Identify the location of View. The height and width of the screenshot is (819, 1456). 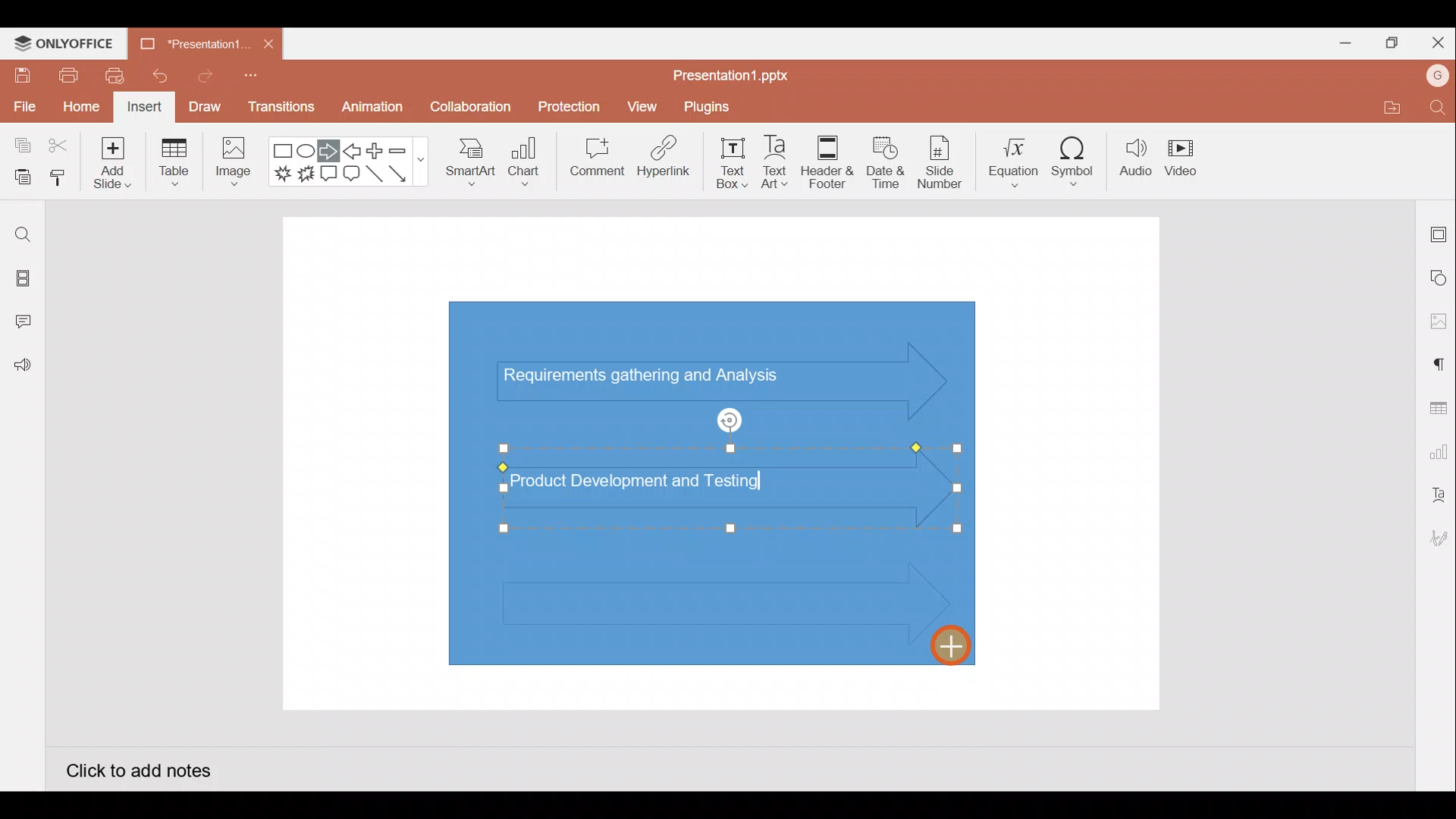
(645, 103).